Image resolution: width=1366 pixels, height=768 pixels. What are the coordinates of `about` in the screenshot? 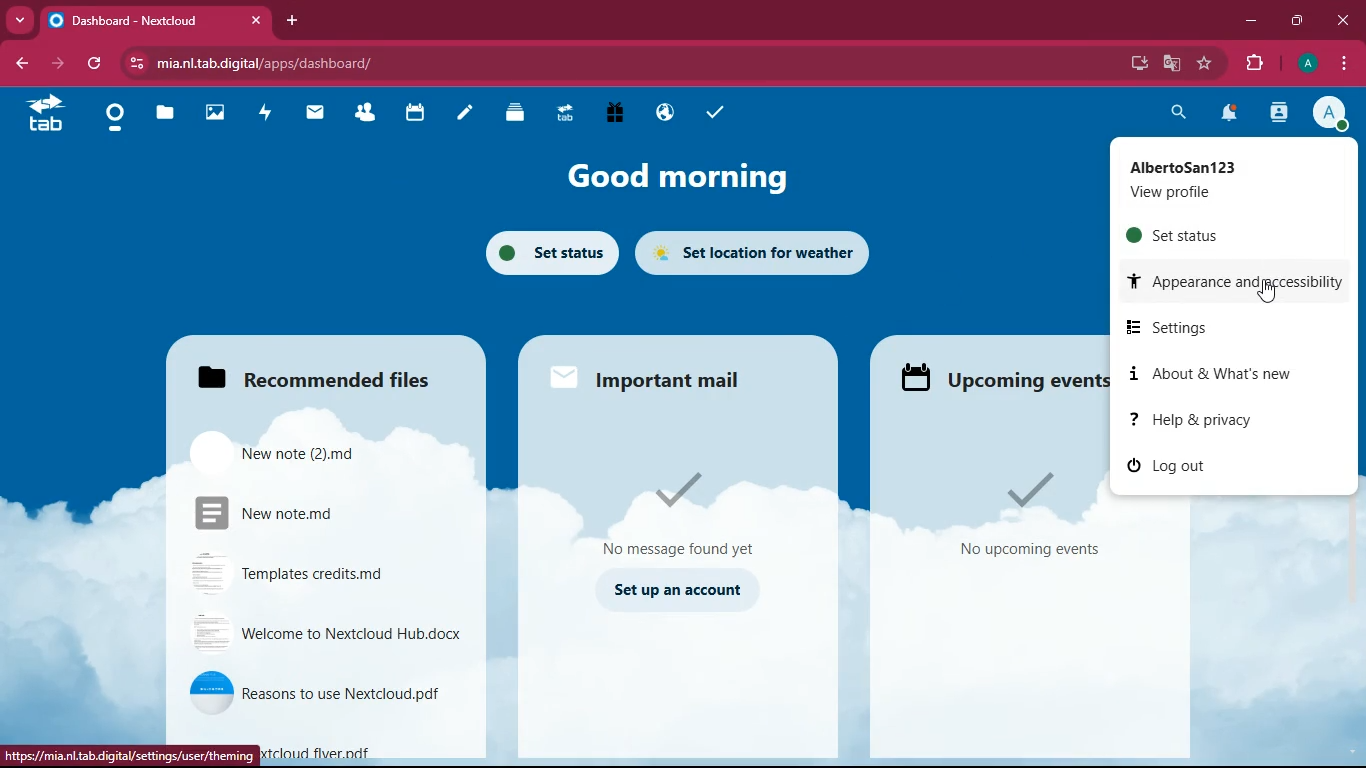 It's located at (1217, 376).